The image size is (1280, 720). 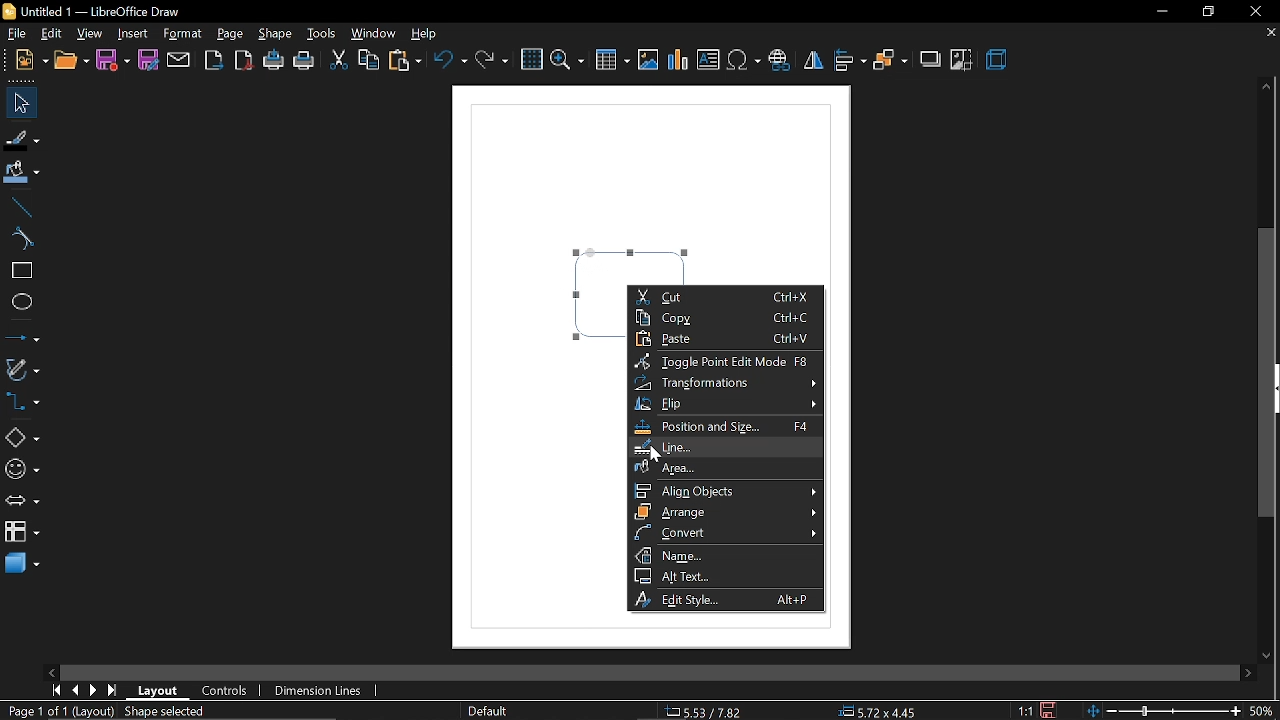 What do you see at coordinates (491, 65) in the screenshot?
I see `redo` at bounding box center [491, 65].